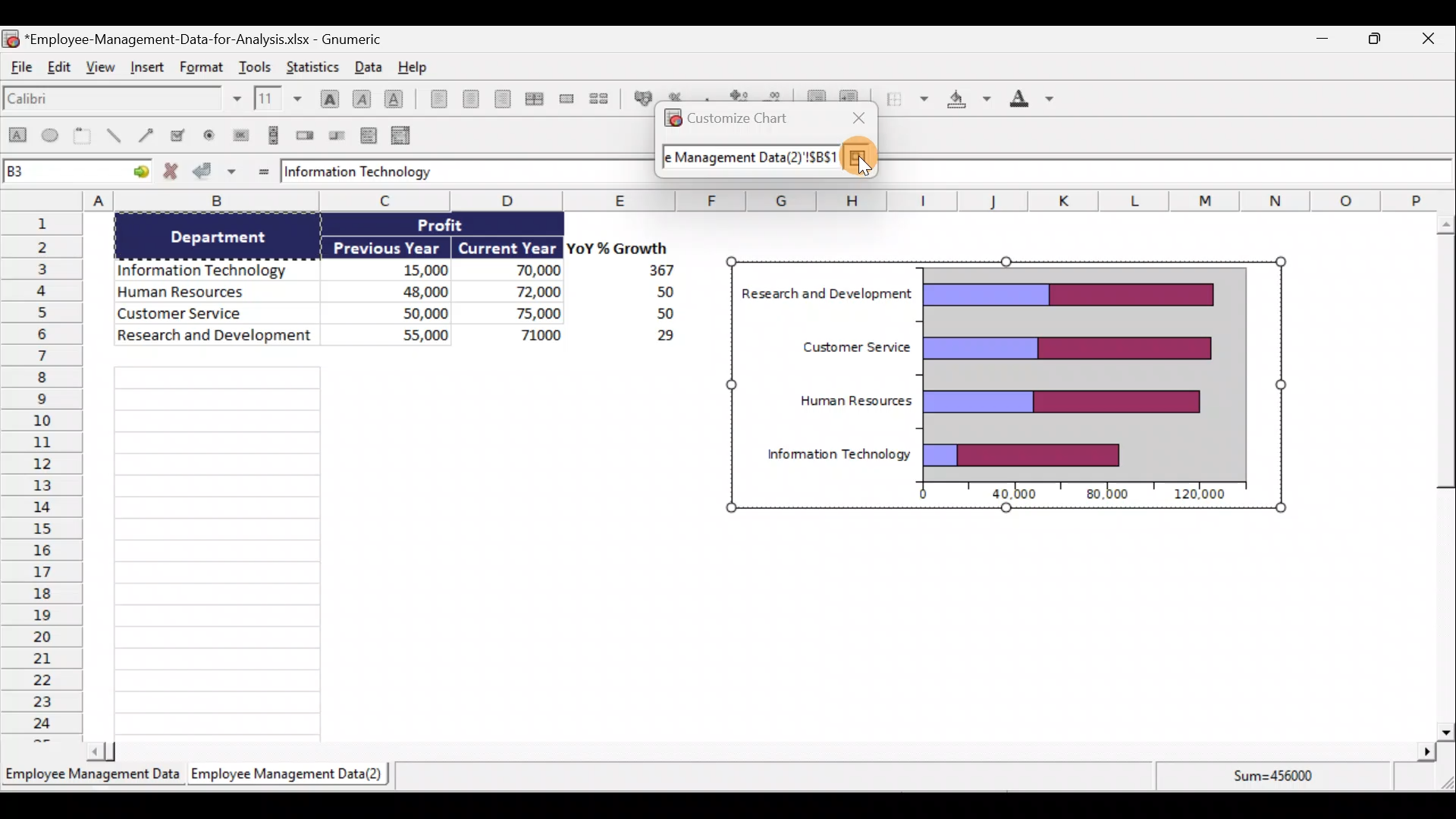  What do you see at coordinates (211, 293) in the screenshot?
I see `Human Resources` at bounding box center [211, 293].